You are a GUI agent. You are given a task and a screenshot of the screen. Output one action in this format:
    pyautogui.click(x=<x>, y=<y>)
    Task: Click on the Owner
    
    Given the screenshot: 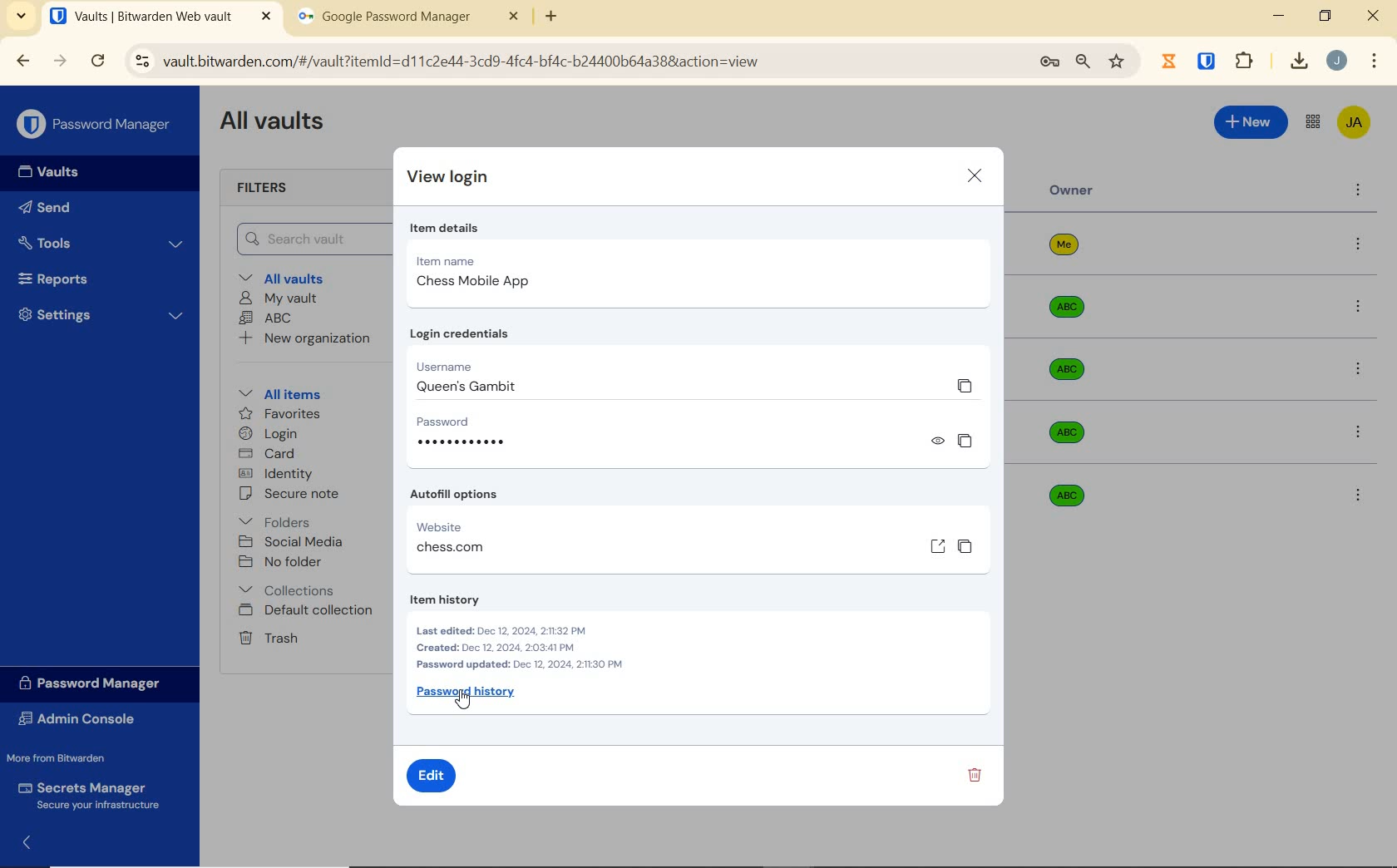 What is the action you would take?
    pyautogui.click(x=1069, y=190)
    